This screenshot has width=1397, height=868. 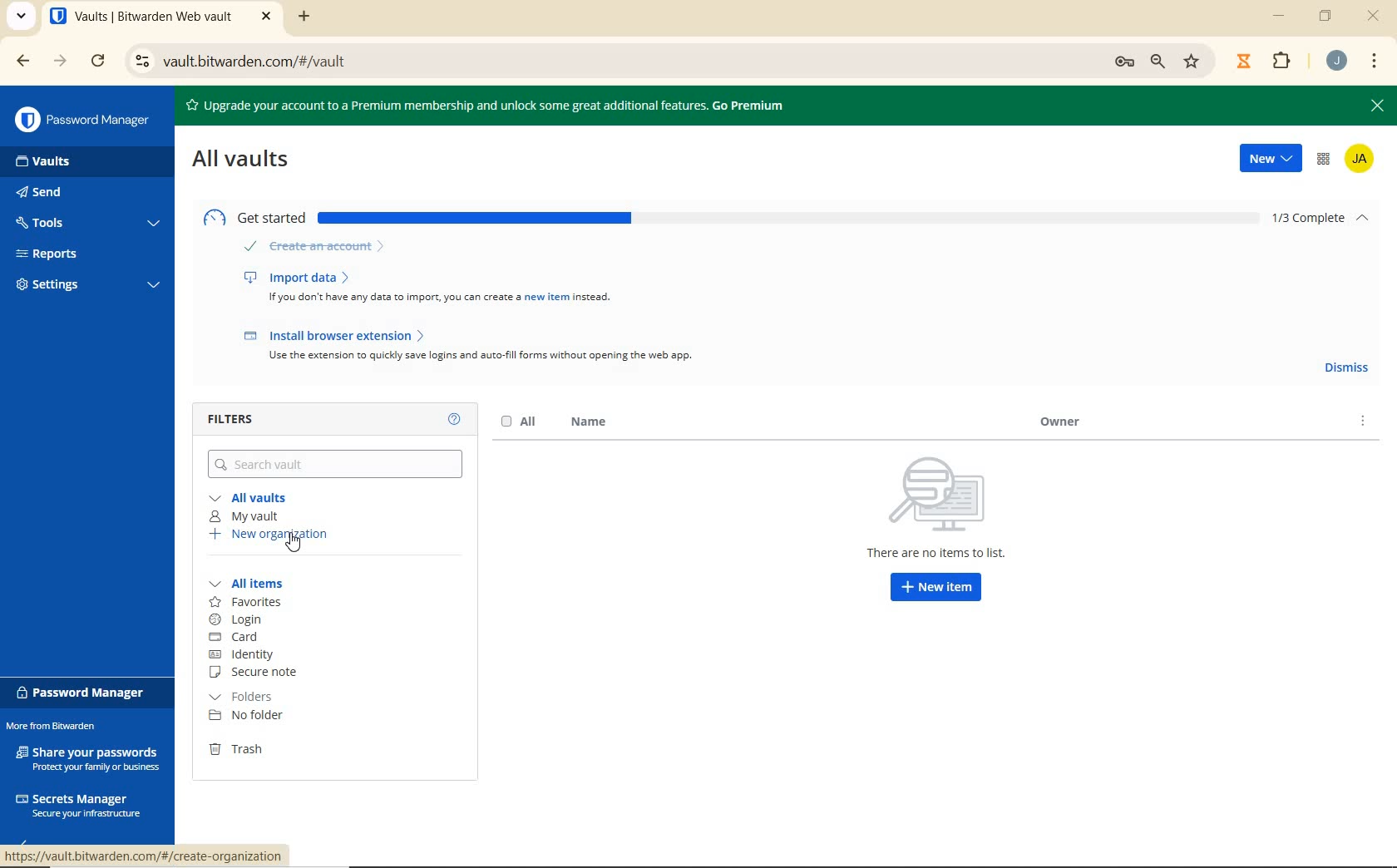 What do you see at coordinates (1375, 108) in the screenshot?
I see `close` at bounding box center [1375, 108].